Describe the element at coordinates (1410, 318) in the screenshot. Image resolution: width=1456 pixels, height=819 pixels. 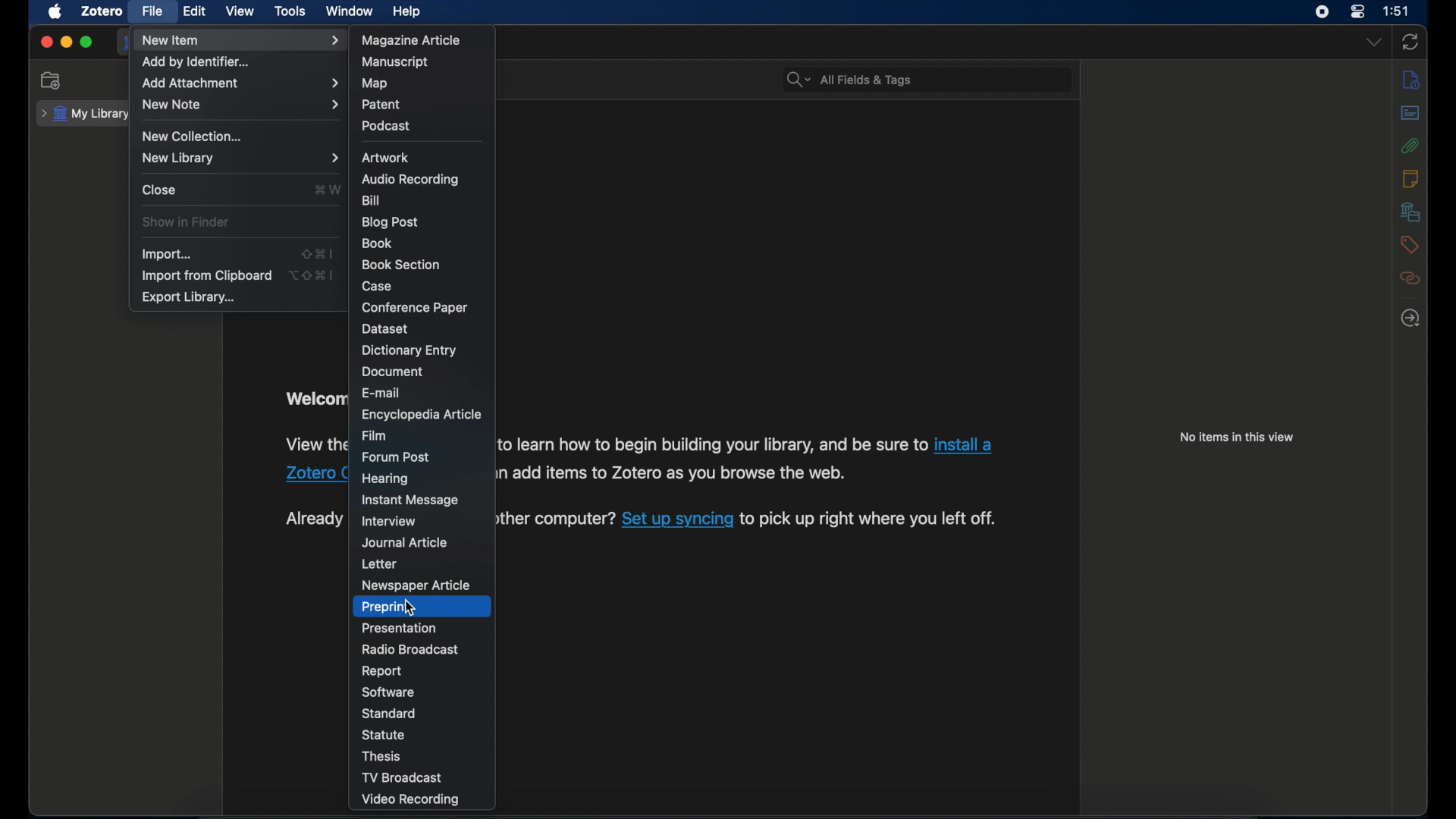
I see `locate` at that location.